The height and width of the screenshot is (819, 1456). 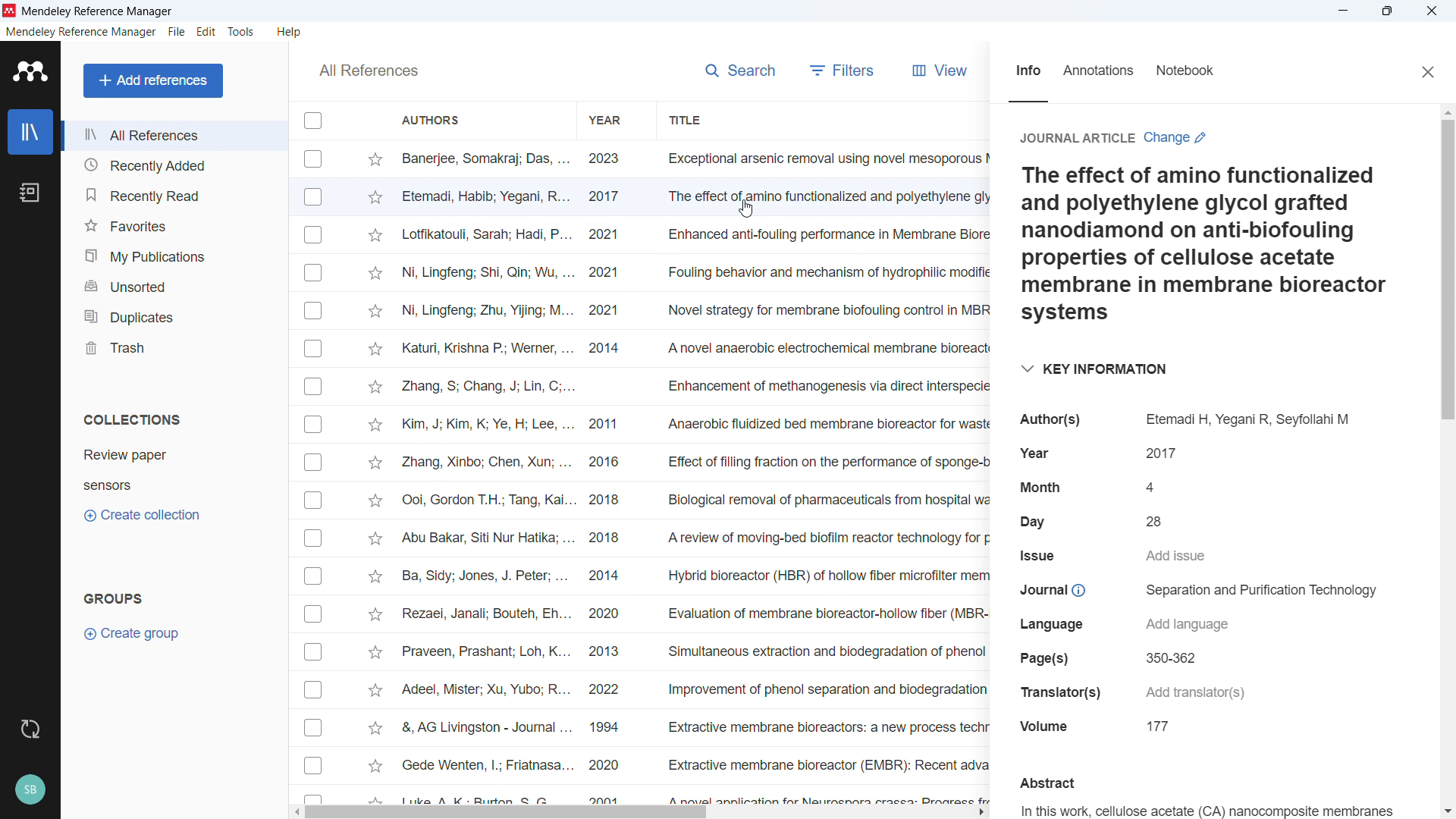 I want to click on notebook, so click(x=30, y=193).